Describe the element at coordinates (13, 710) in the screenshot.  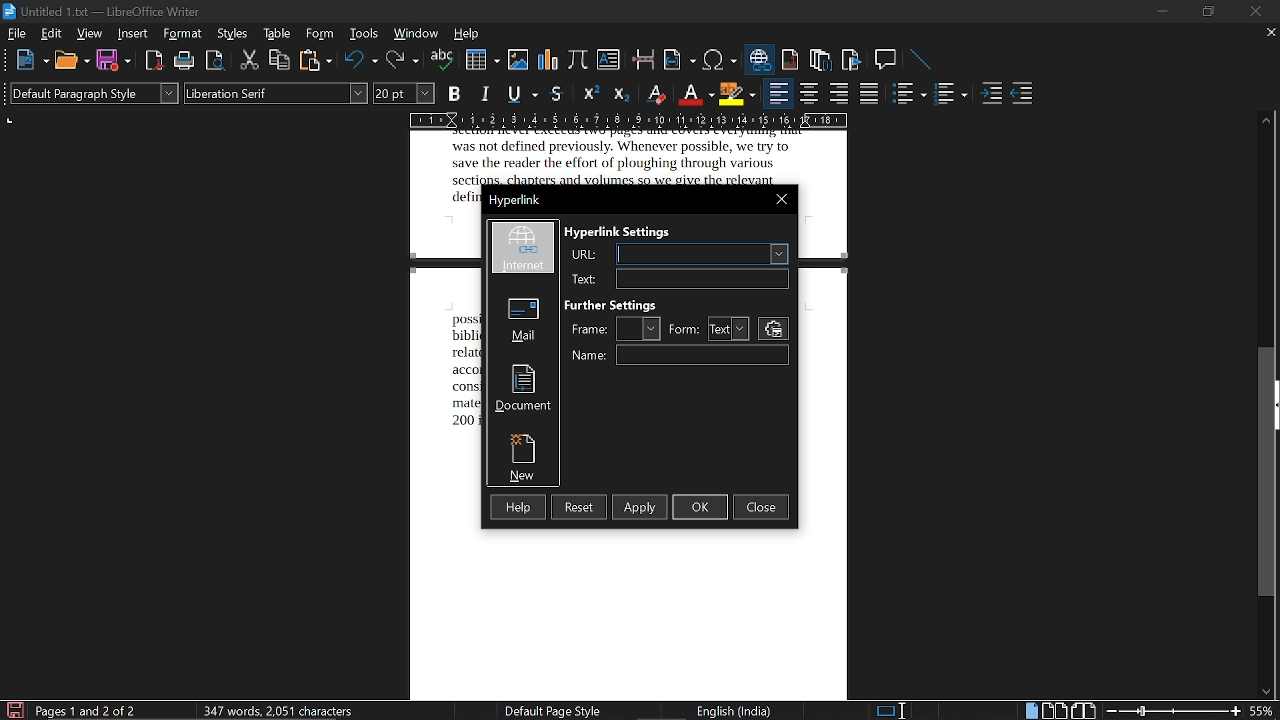
I see `save` at that location.